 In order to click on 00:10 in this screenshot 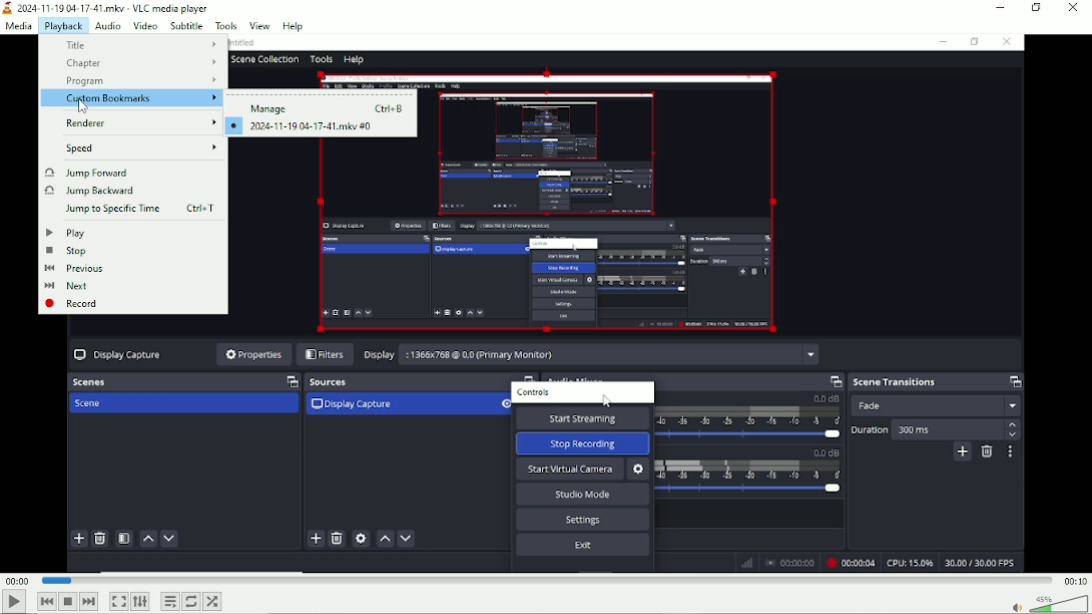, I will do `click(1074, 581)`.